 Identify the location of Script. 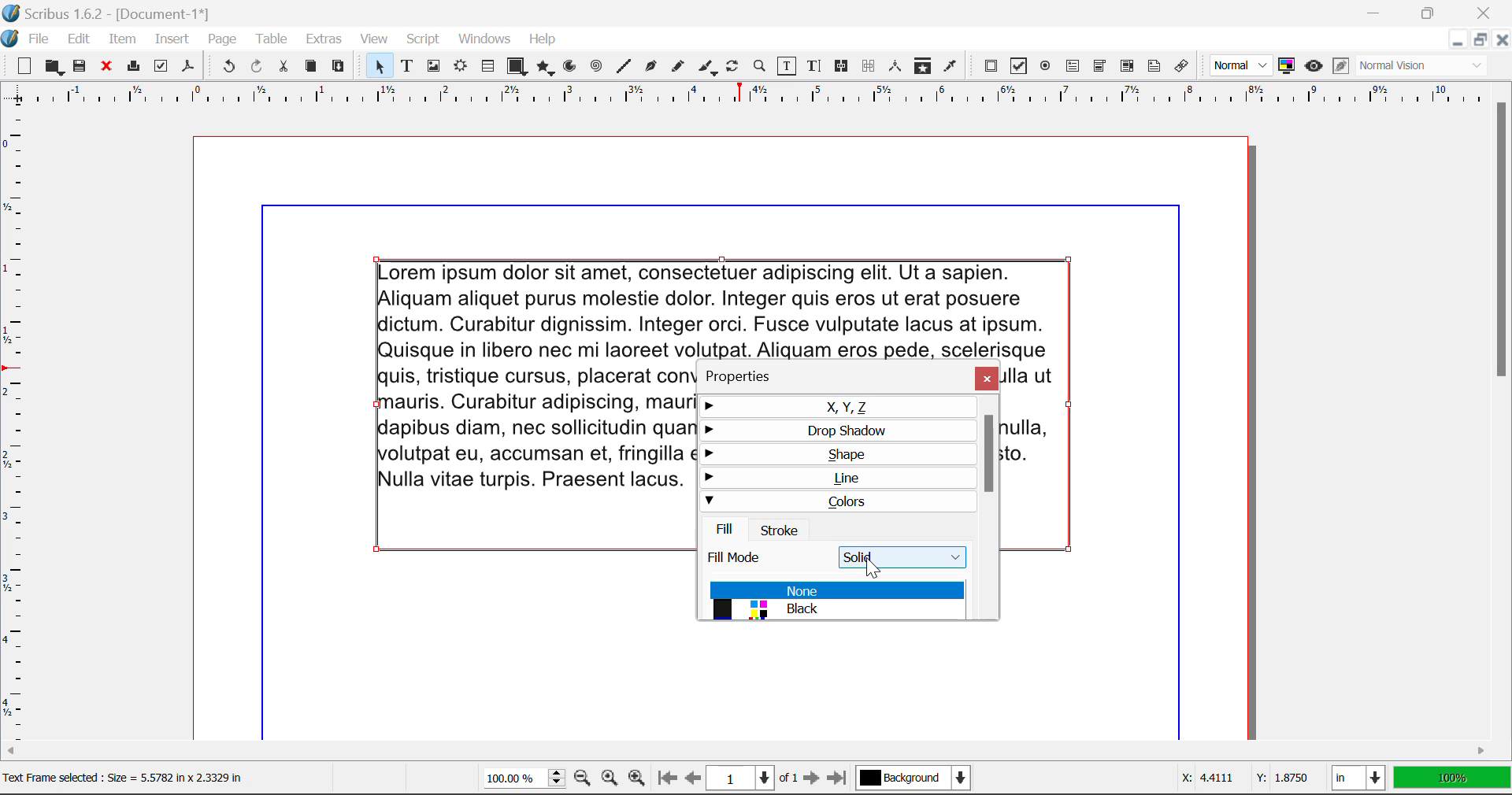
(424, 39).